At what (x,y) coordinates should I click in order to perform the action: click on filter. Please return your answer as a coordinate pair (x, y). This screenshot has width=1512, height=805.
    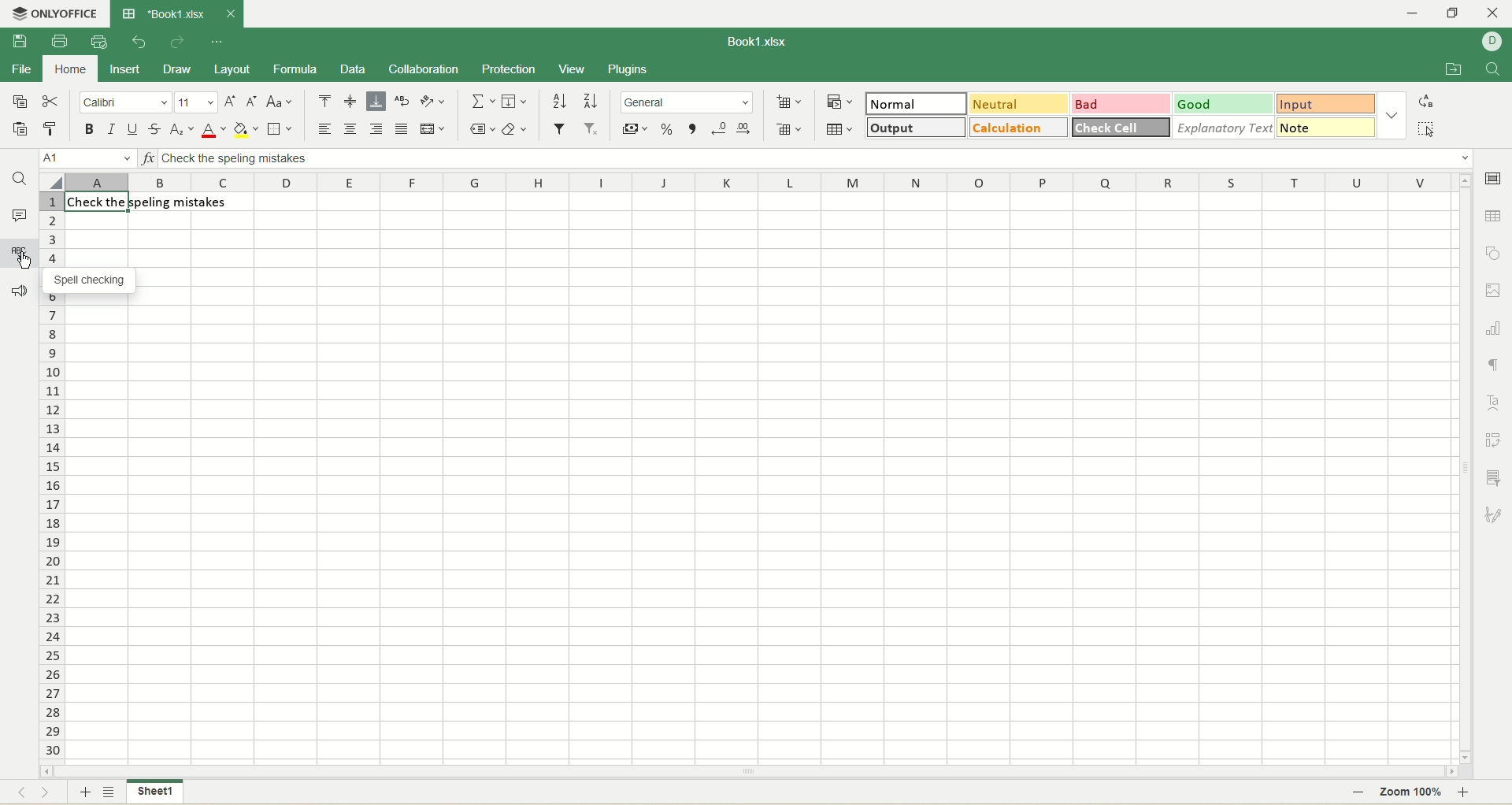
    Looking at the image, I should click on (558, 129).